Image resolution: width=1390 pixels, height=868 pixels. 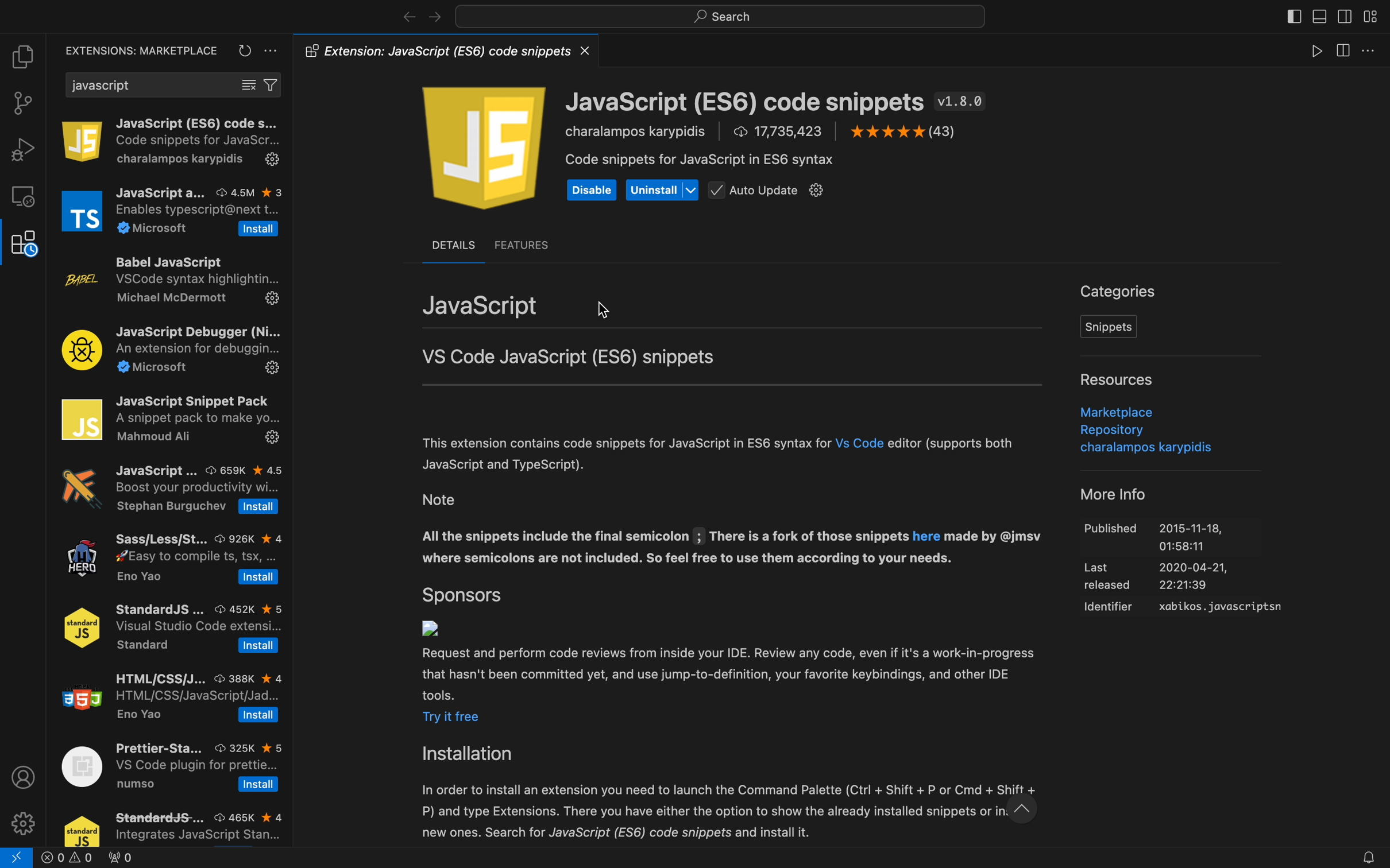 What do you see at coordinates (244, 51) in the screenshot?
I see `reload` at bounding box center [244, 51].